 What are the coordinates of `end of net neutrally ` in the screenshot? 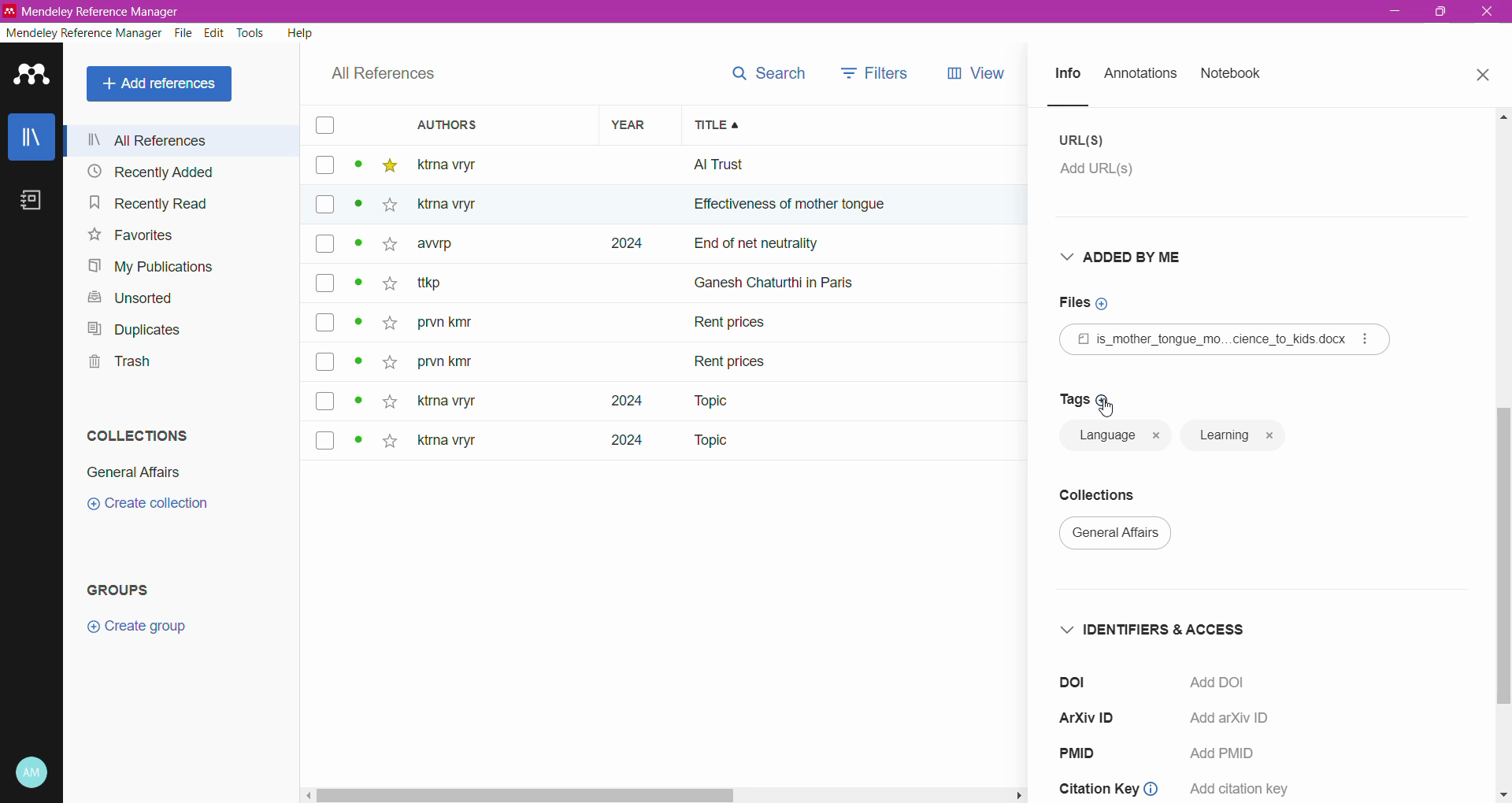 It's located at (862, 246).